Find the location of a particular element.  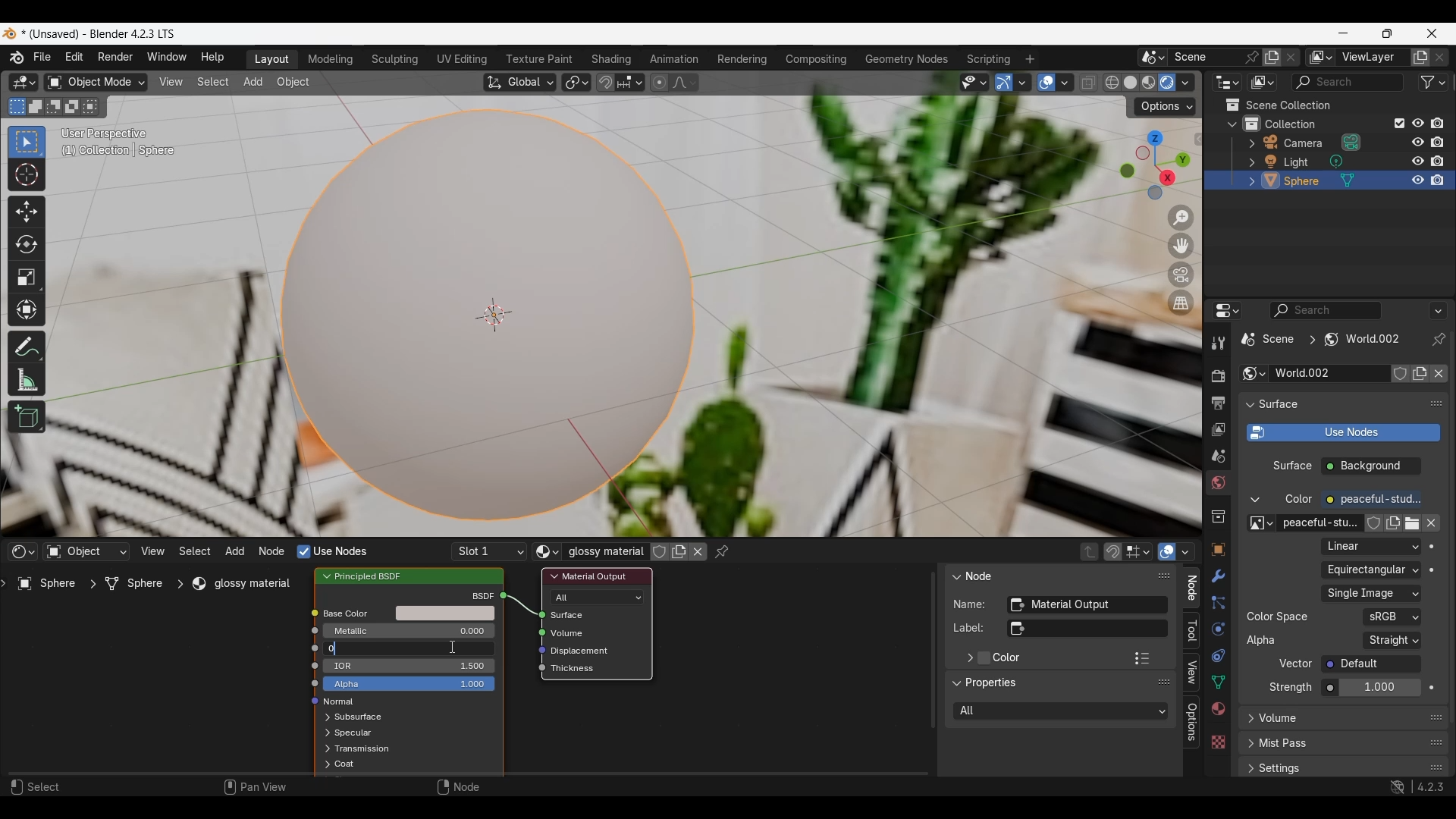

Unlink data block is located at coordinates (1431, 523).